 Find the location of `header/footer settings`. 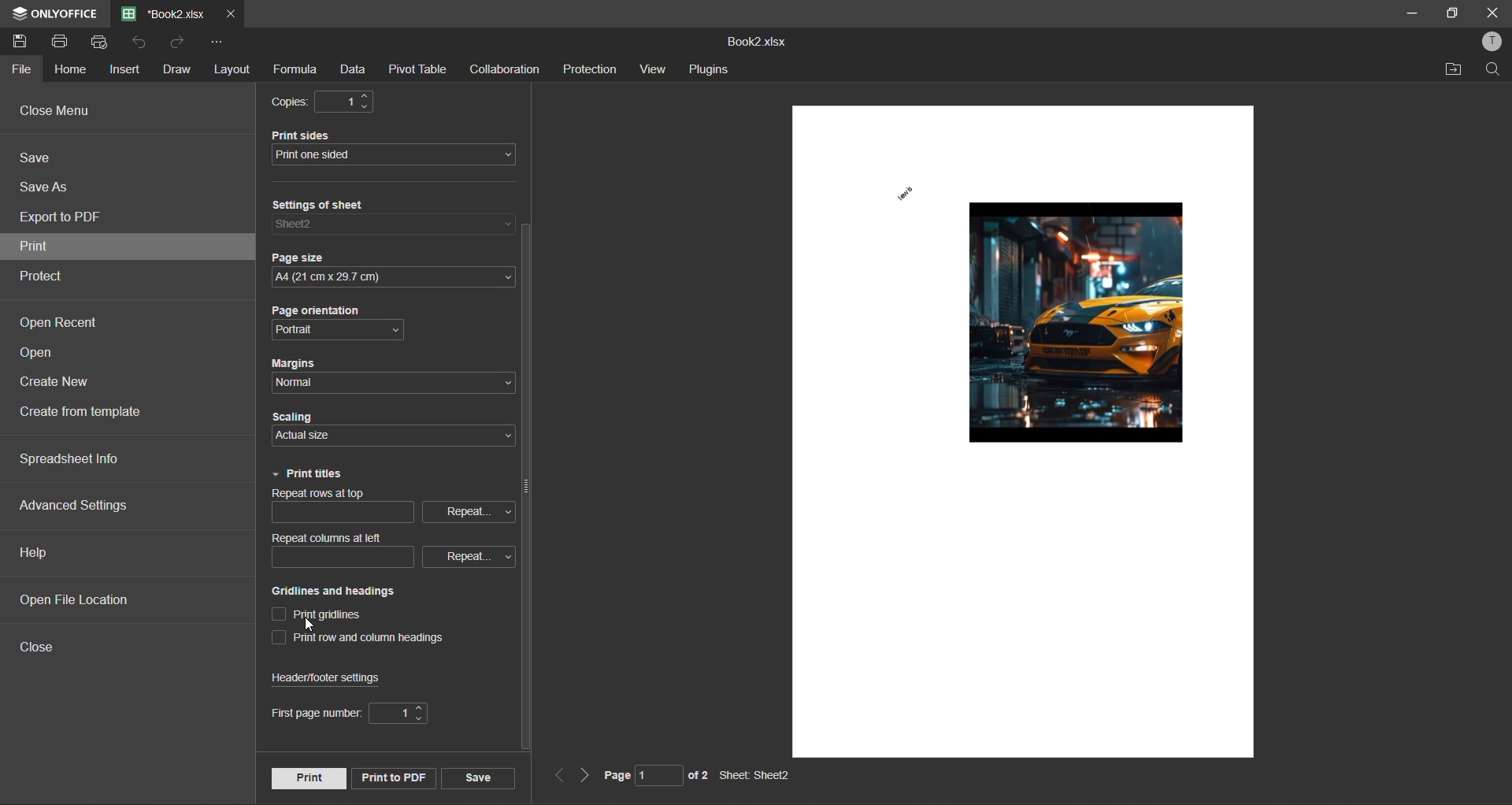

header/footer settings is located at coordinates (340, 677).